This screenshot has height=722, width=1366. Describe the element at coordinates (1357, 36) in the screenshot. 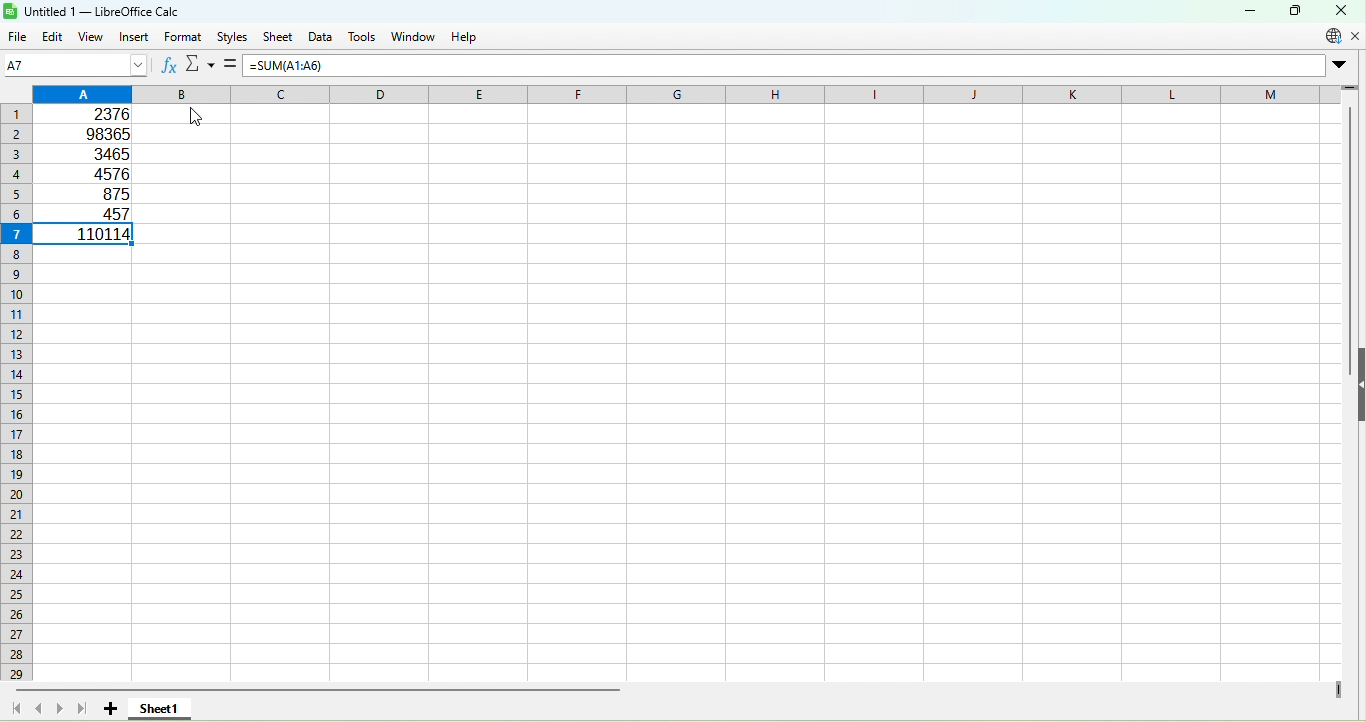

I see `Close document` at that location.